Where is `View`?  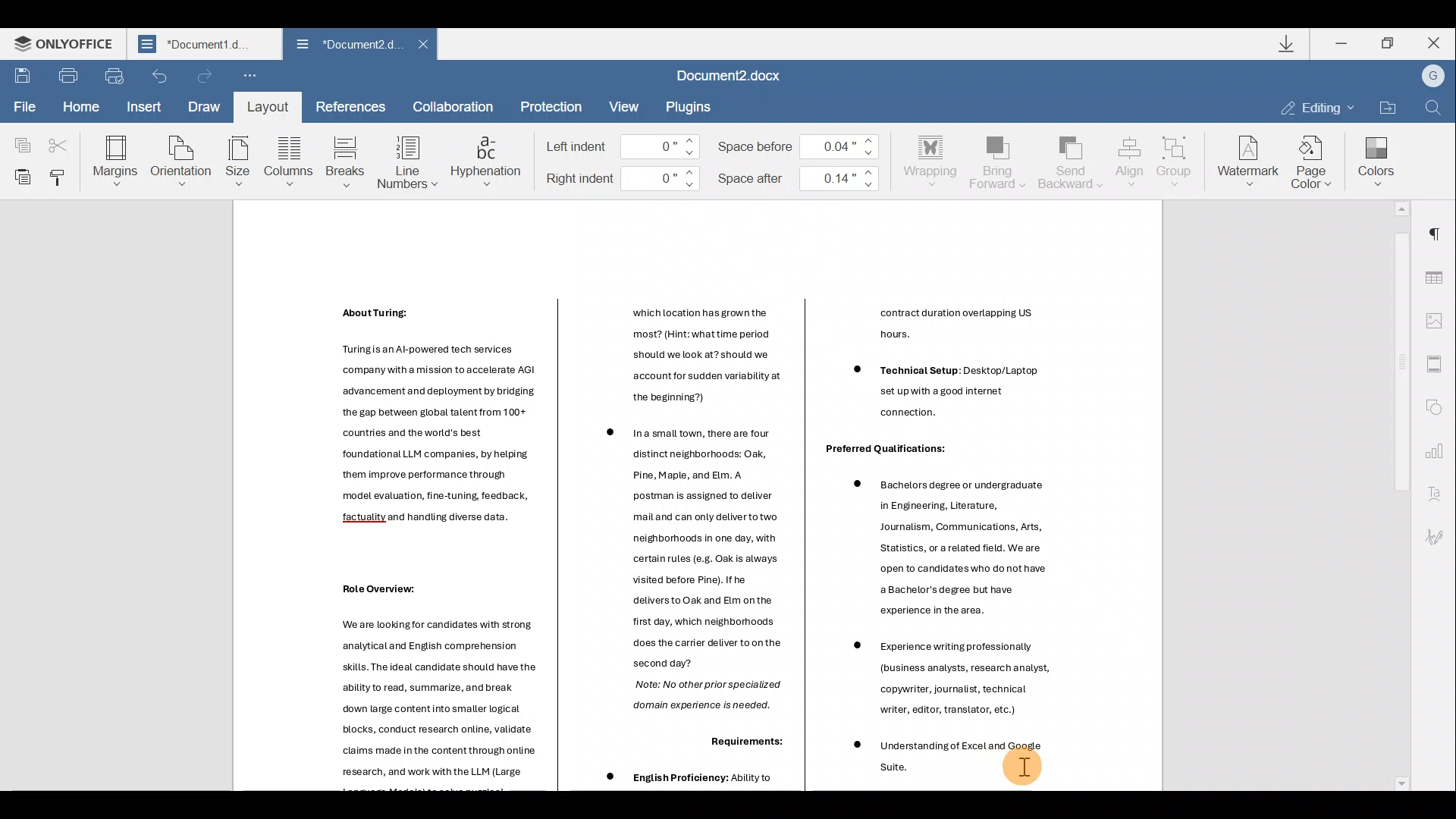
View is located at coordinates (625, 106).